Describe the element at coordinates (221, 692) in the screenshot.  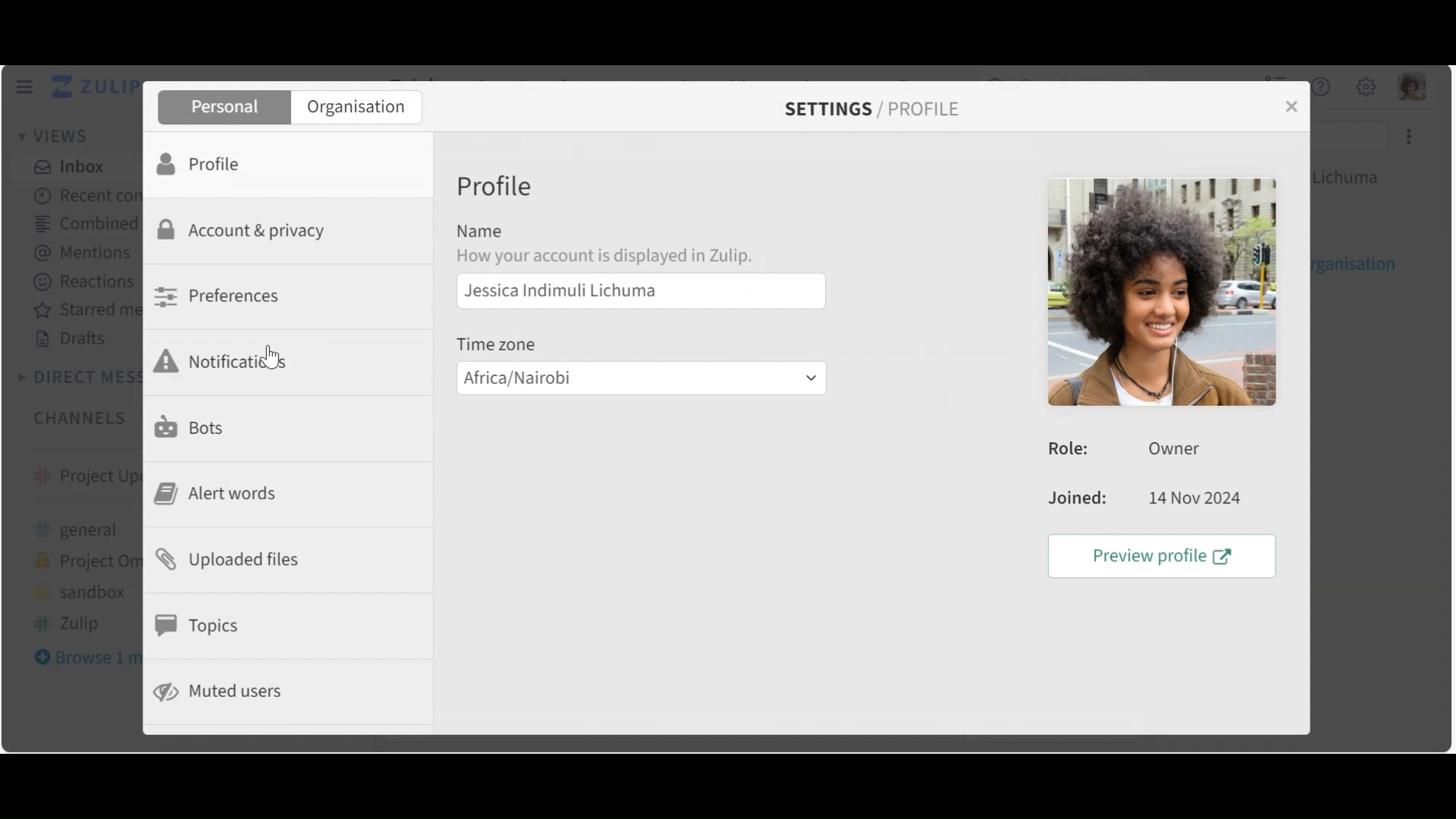
I see `Muted users` at that location.